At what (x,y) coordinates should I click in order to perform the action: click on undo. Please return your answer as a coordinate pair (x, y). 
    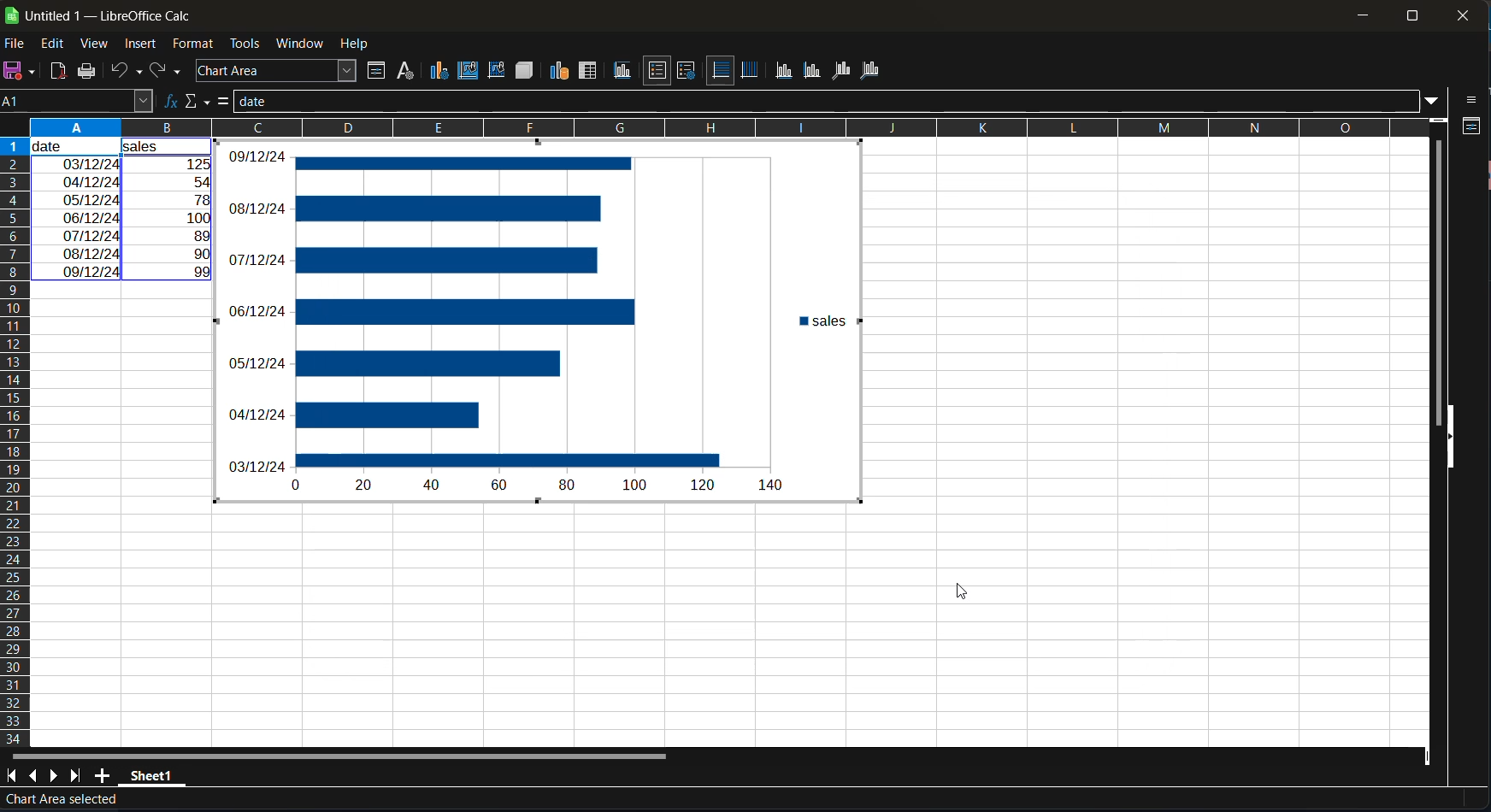
    Looking at the image, I should click on (127, 69).